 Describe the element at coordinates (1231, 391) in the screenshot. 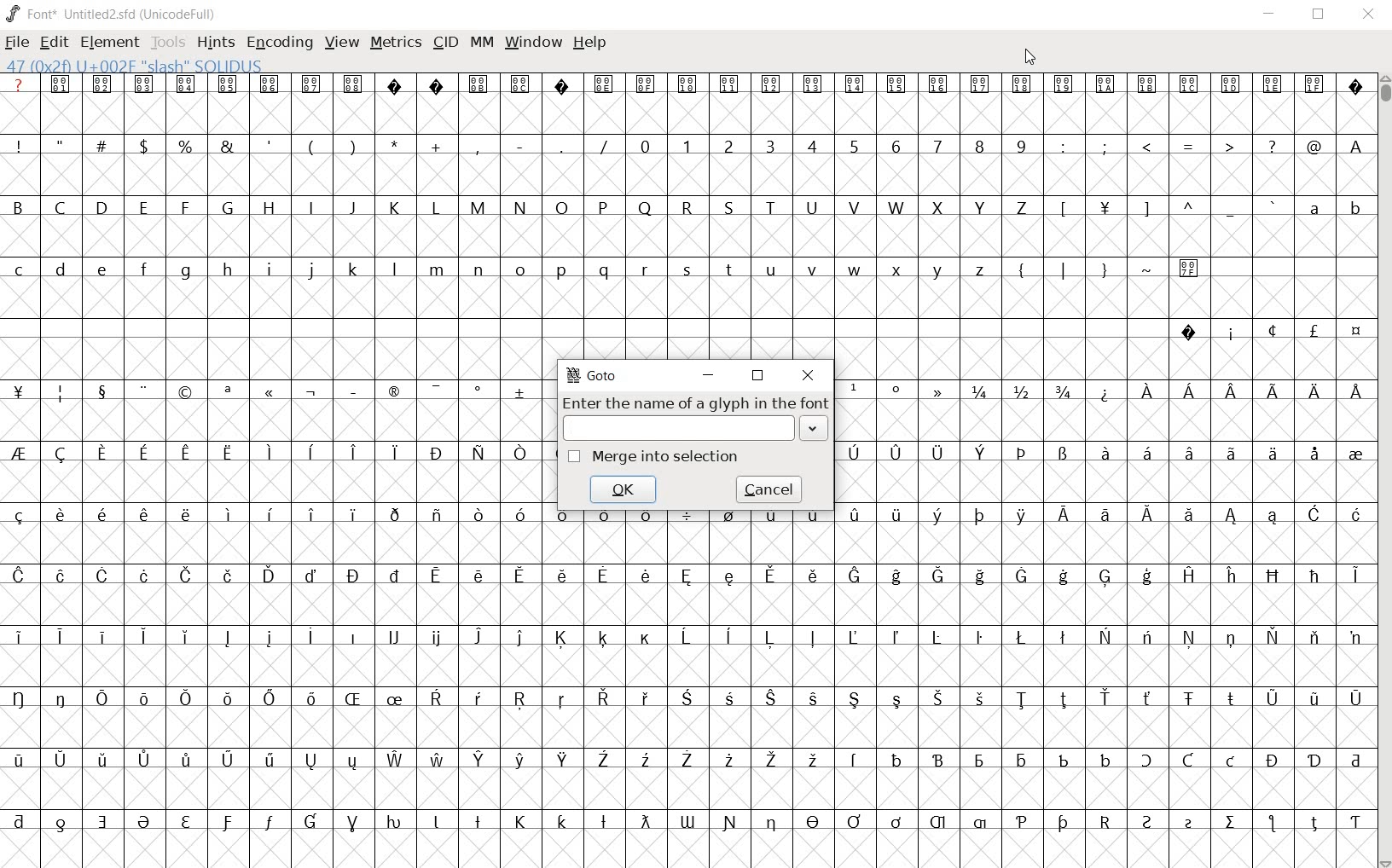

I see `letters` at that location.